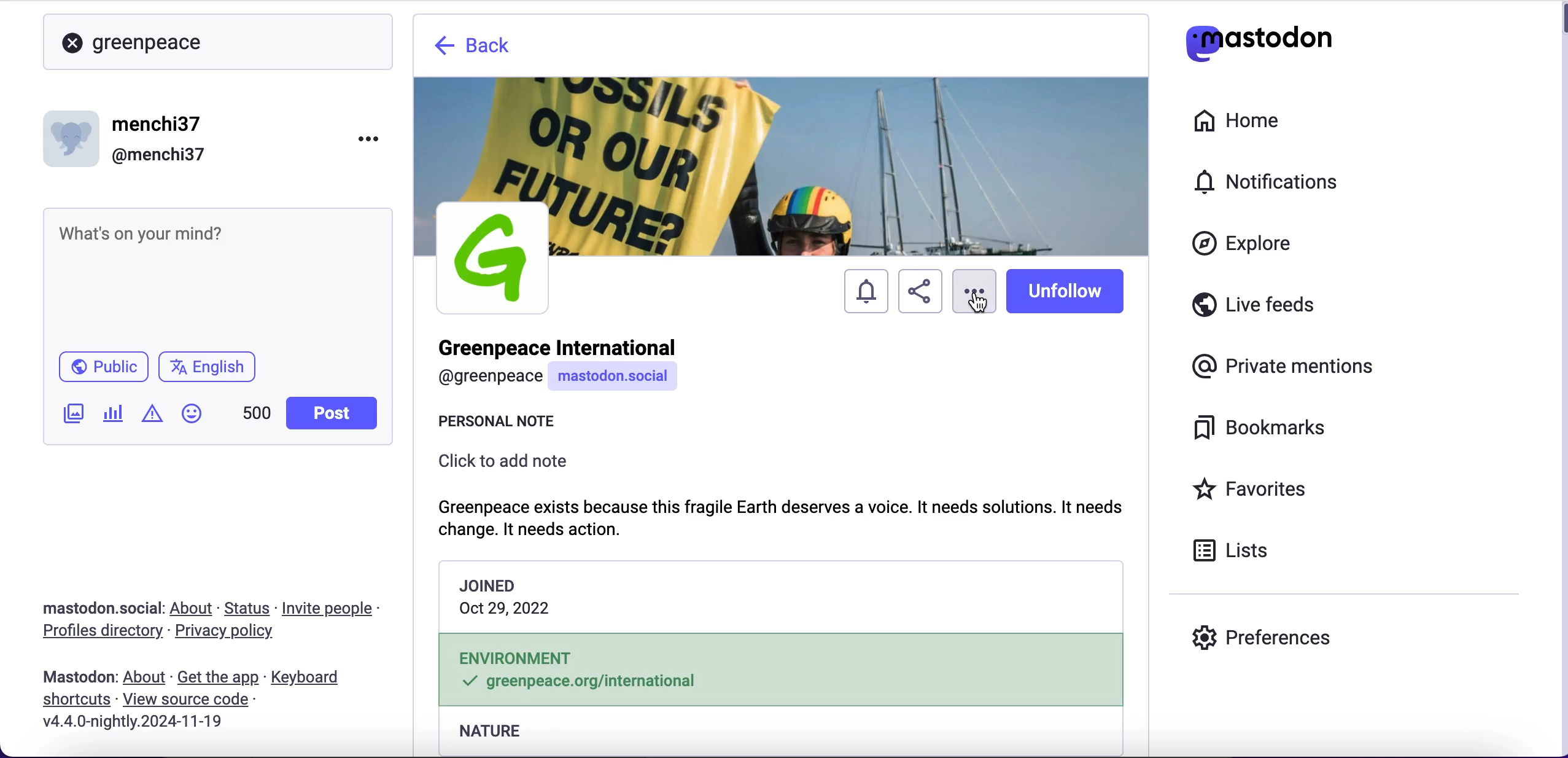 This screenshot has width=1568, height=758. Describe the element at coordinates (475, 49) in the screenshot. I see `back` at that location.